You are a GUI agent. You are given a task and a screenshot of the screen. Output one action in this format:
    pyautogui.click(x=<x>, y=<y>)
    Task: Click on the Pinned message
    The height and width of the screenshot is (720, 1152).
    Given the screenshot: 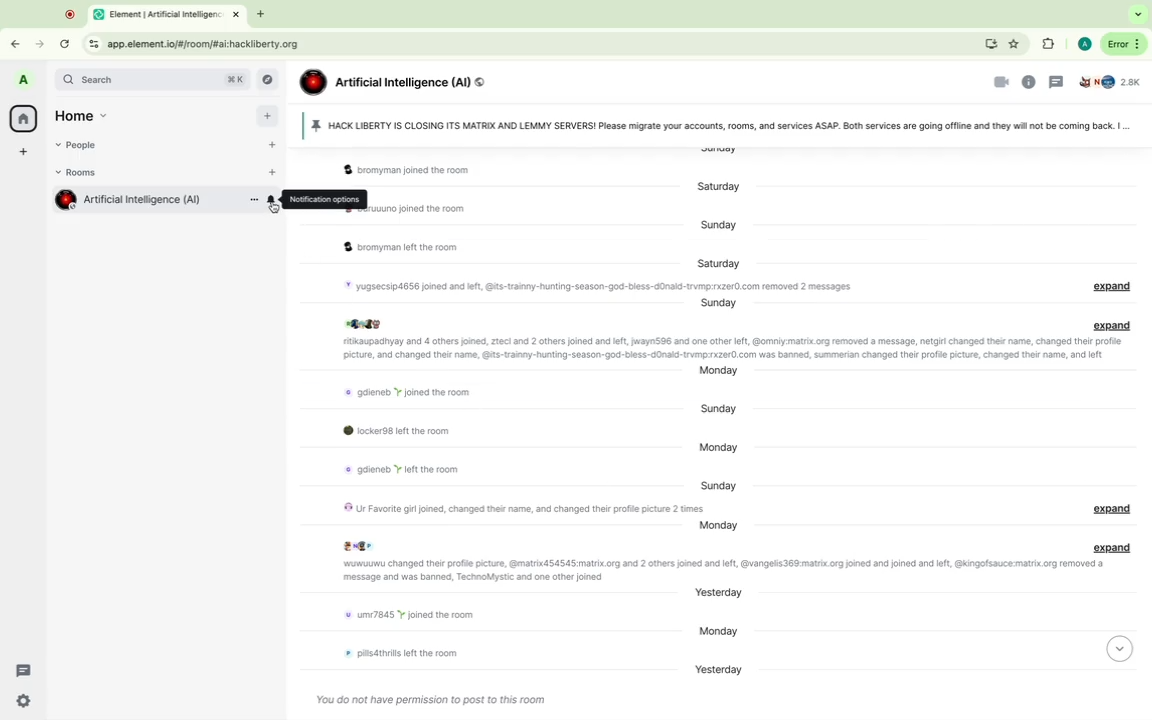 What is the action you would take?
    pyautogui.click(x=709, y=124)
    